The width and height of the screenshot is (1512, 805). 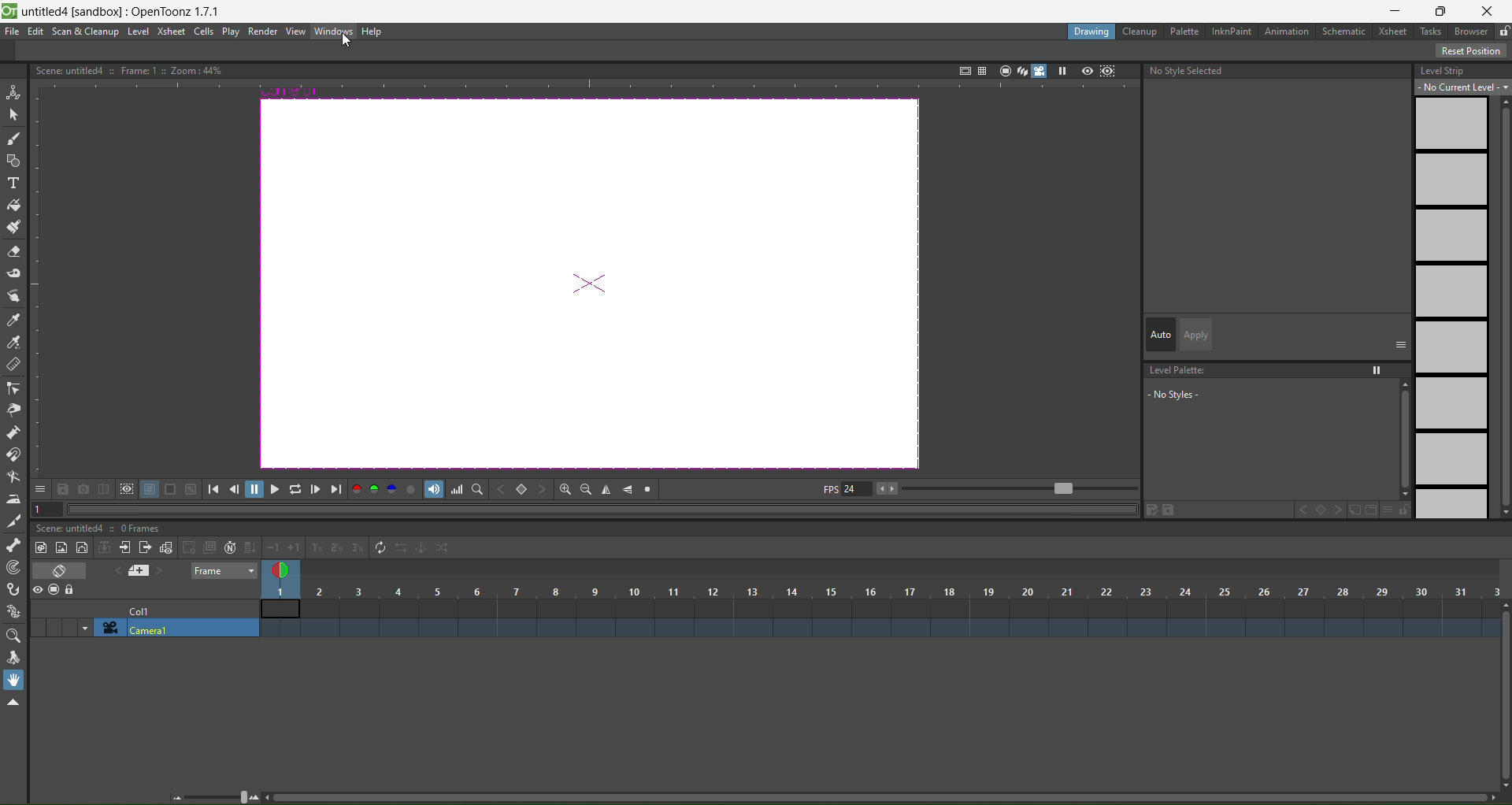 What do you see at coordinates (14, 253) in the screenshot?
I see `eraser tool` at bounding box center [14, 253].